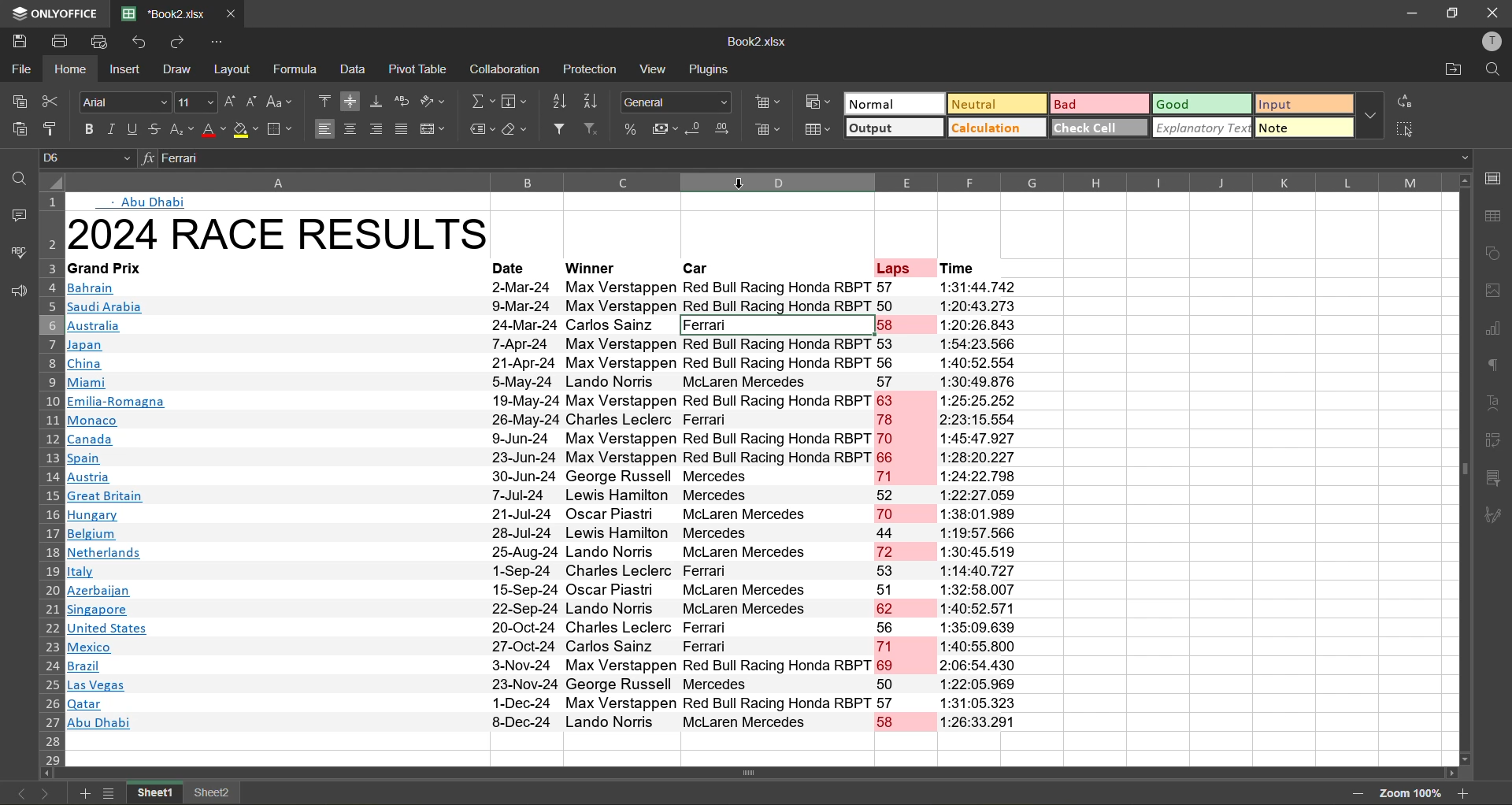 This screenshot has width=1512, height=805. Describe the element at coordinates (350, 129) in the screenshot. I see `align center` at that location.